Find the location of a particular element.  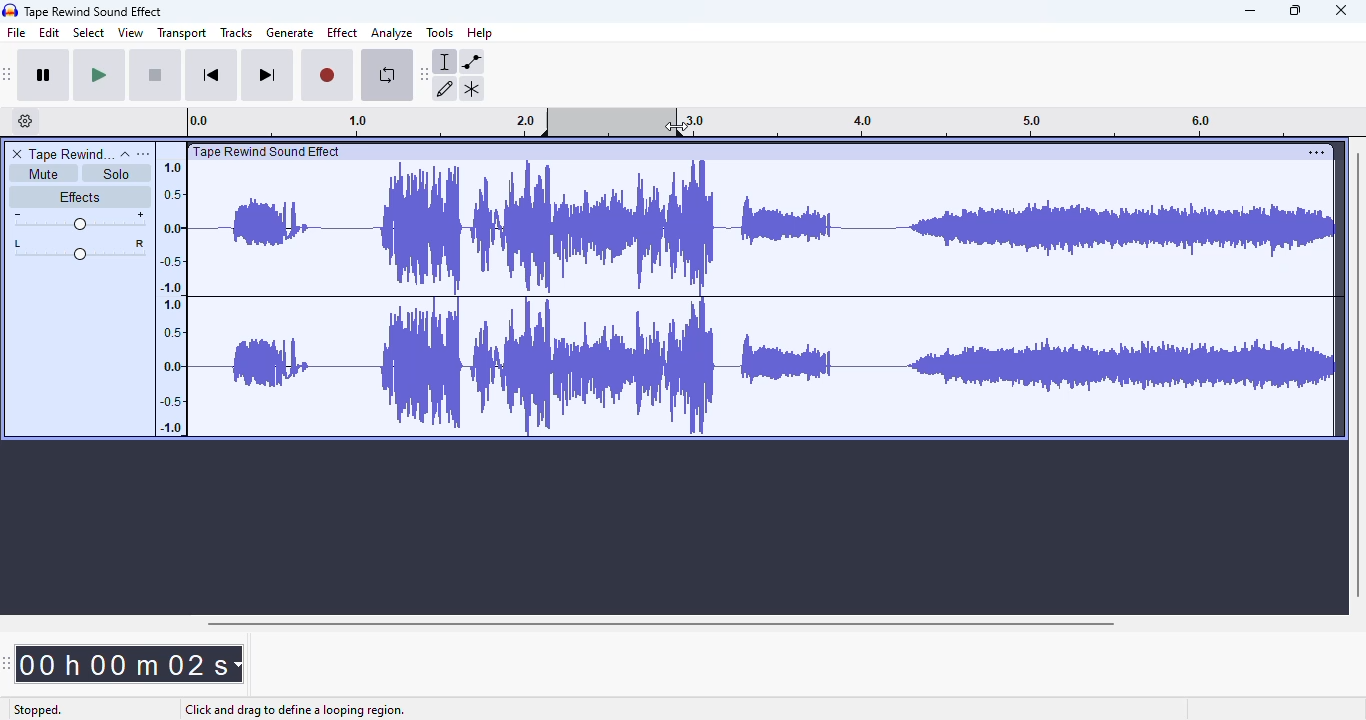

close is located at coordinates (1341, 10).